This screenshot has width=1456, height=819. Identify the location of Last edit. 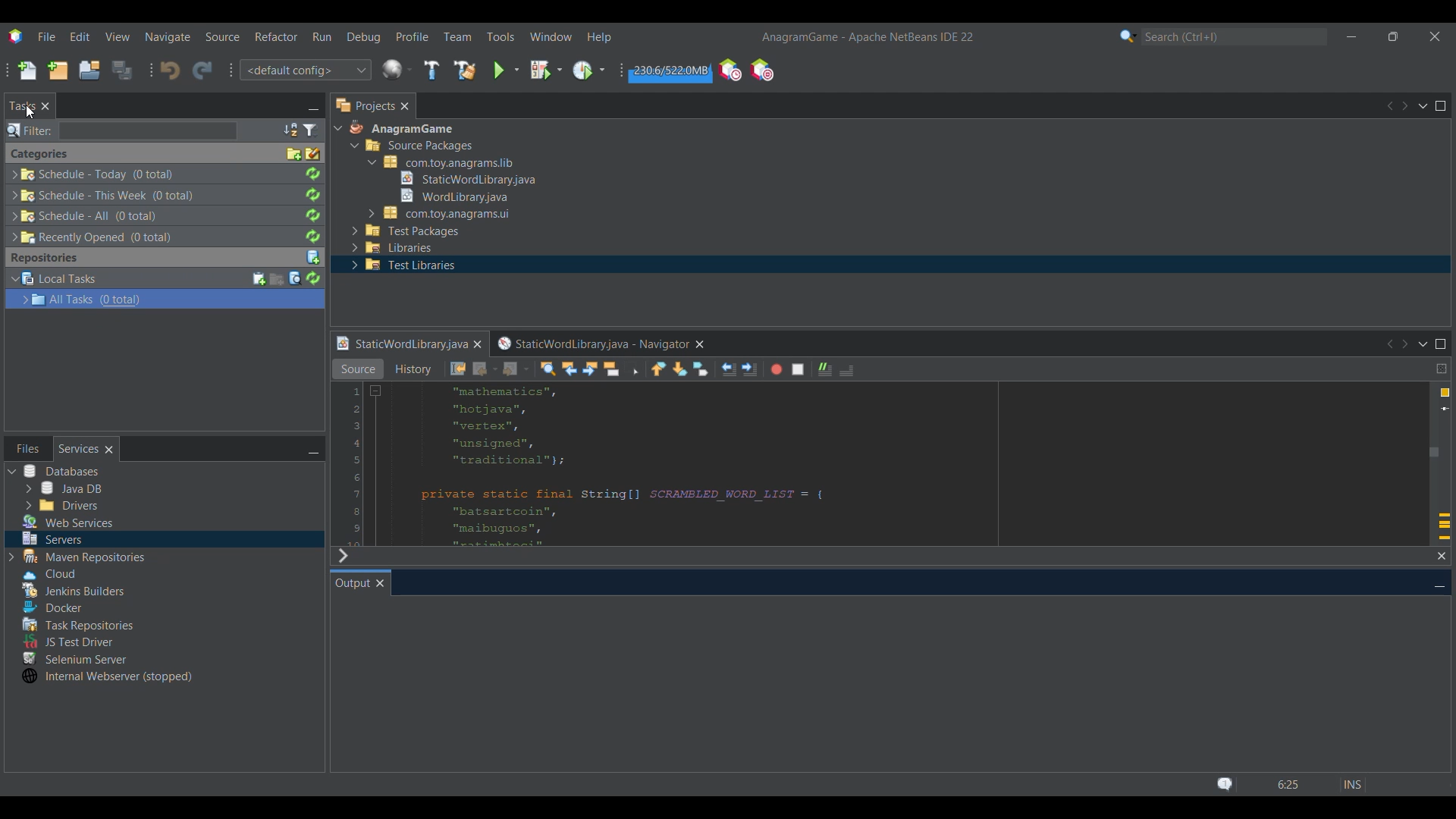
(458, 369).